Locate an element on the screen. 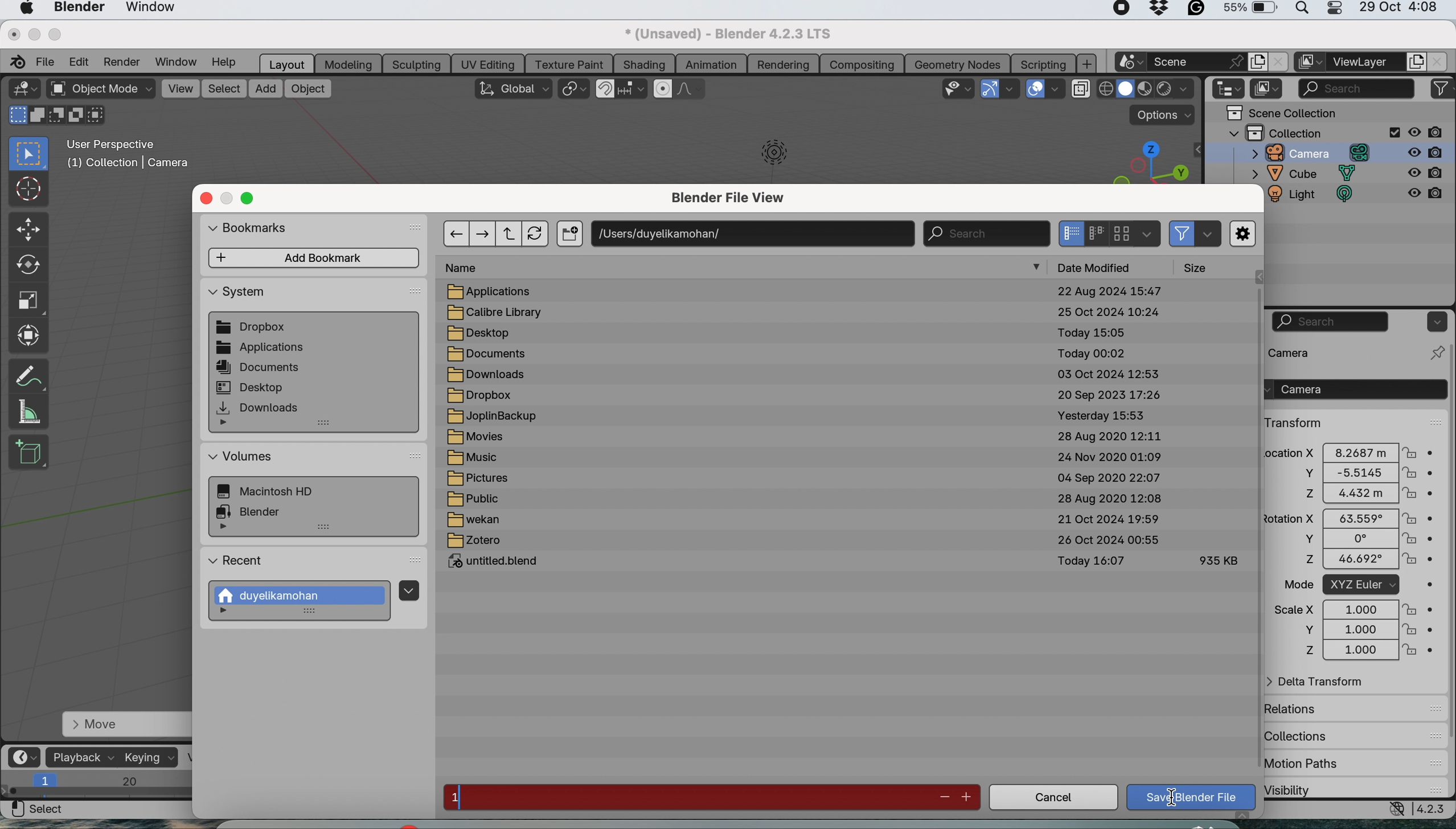 The height and width of the screenshot is (829, 1456). maximise is located at coordinates (251, 199).